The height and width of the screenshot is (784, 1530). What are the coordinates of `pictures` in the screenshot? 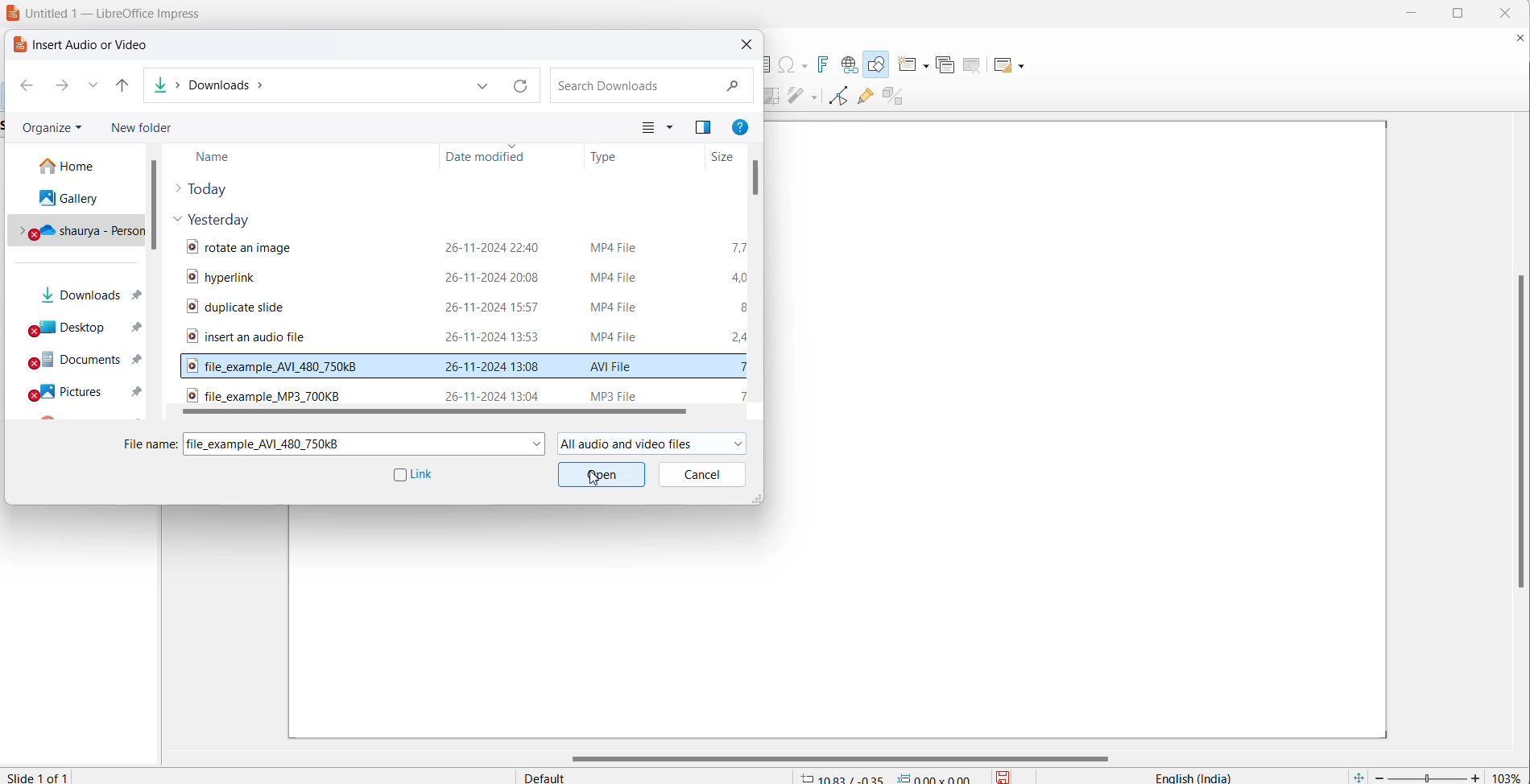 It's located at (82, 392).